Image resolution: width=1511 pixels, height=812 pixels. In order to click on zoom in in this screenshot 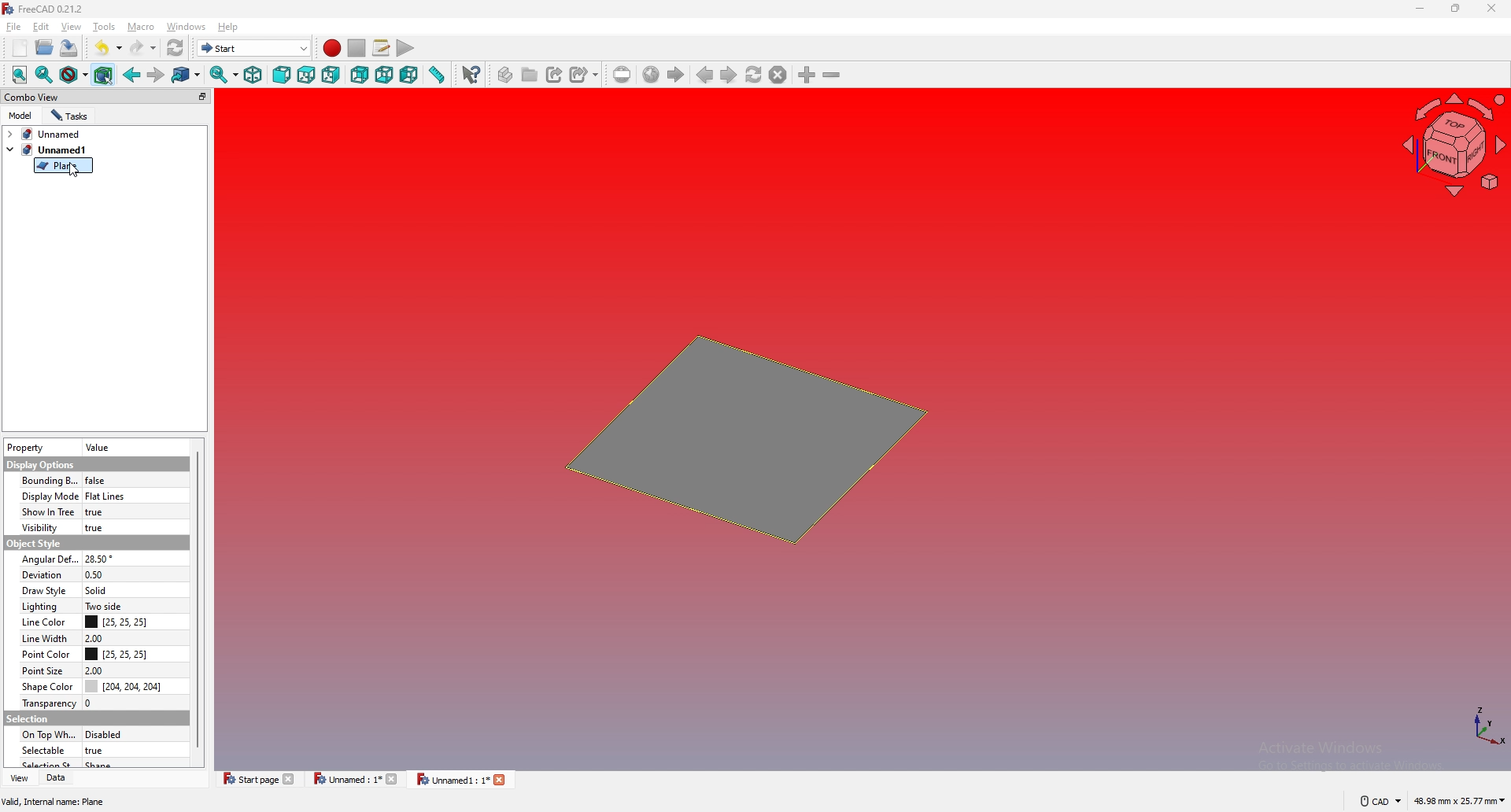, I will do `click(808, 75)`.